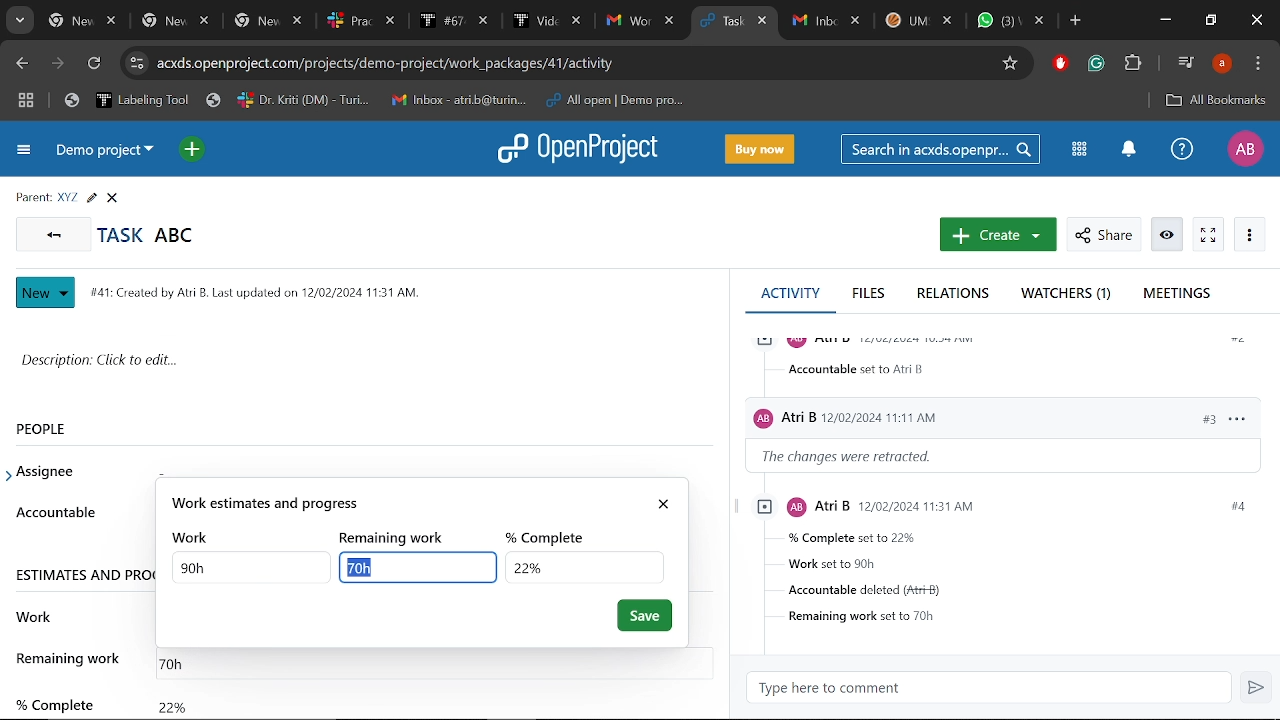  What do you see at coordinates (29, 196) in the screenshot?
I see `parent` at bounding box center [29, 196].